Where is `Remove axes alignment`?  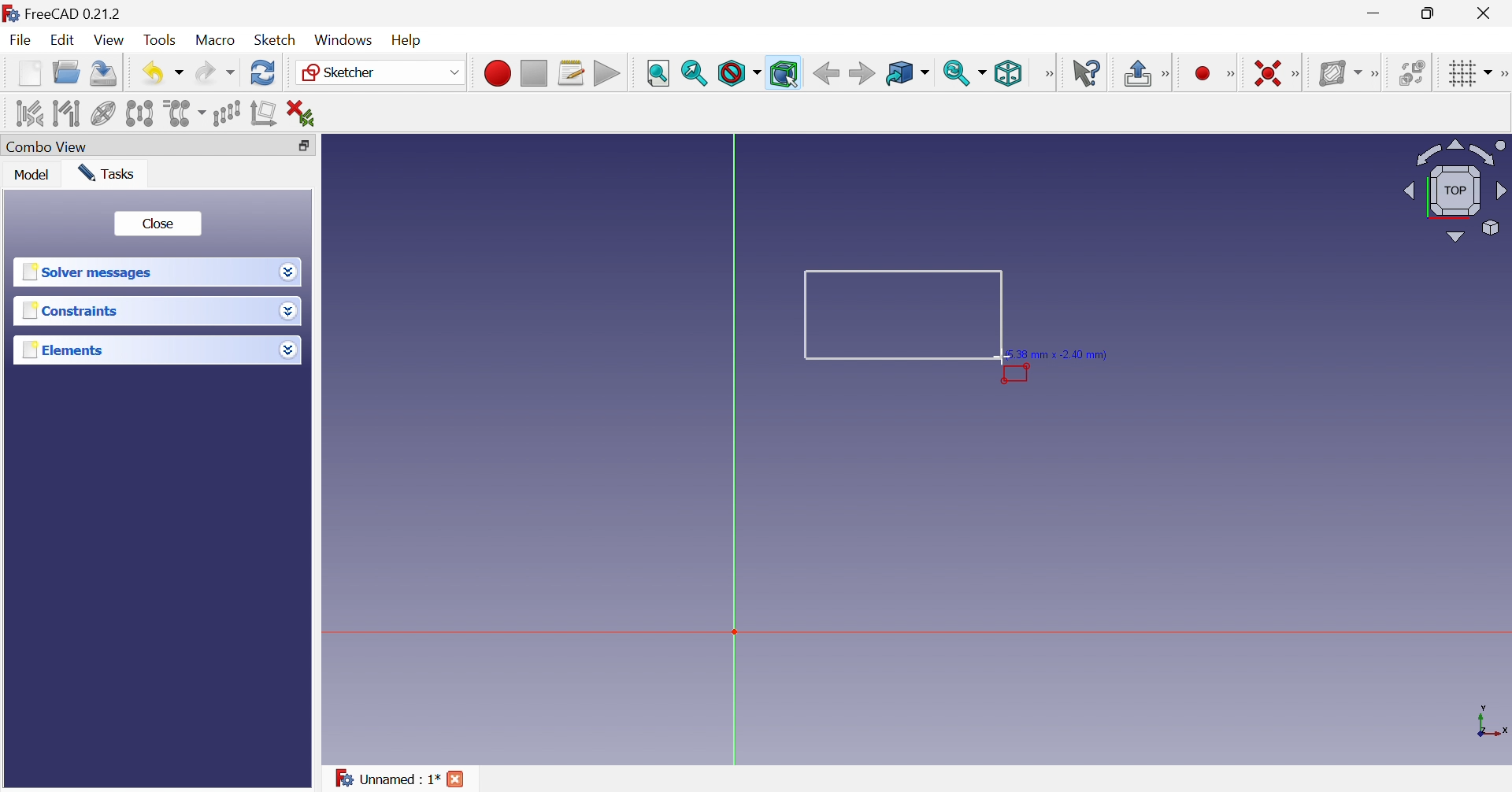
Remove axes alignment is located at coordinates (264, 115).